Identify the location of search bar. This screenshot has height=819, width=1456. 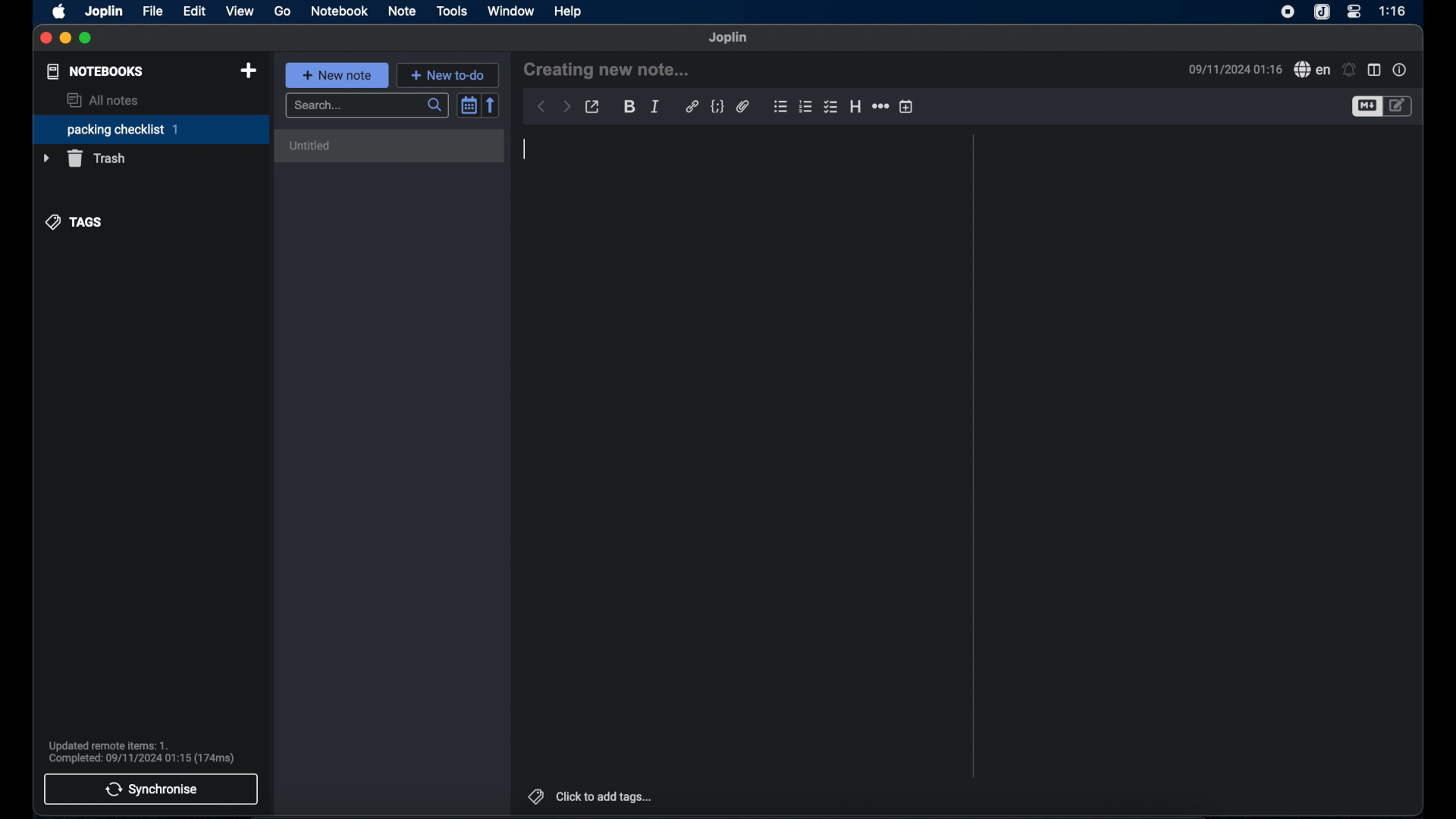
(366, 105).